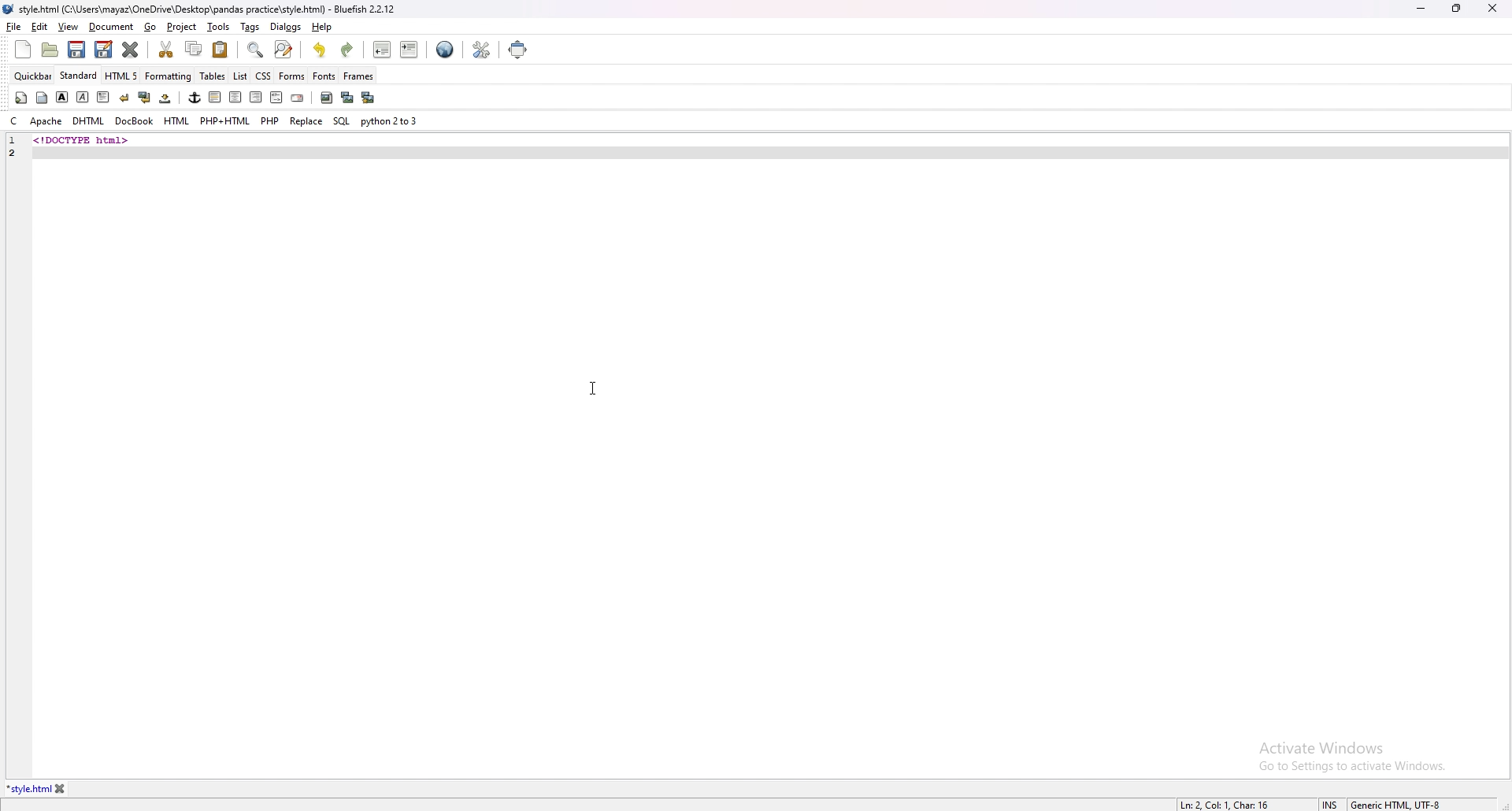 This screenshot has height=811, width=1512. I want to click on line number, so click(18, 152).